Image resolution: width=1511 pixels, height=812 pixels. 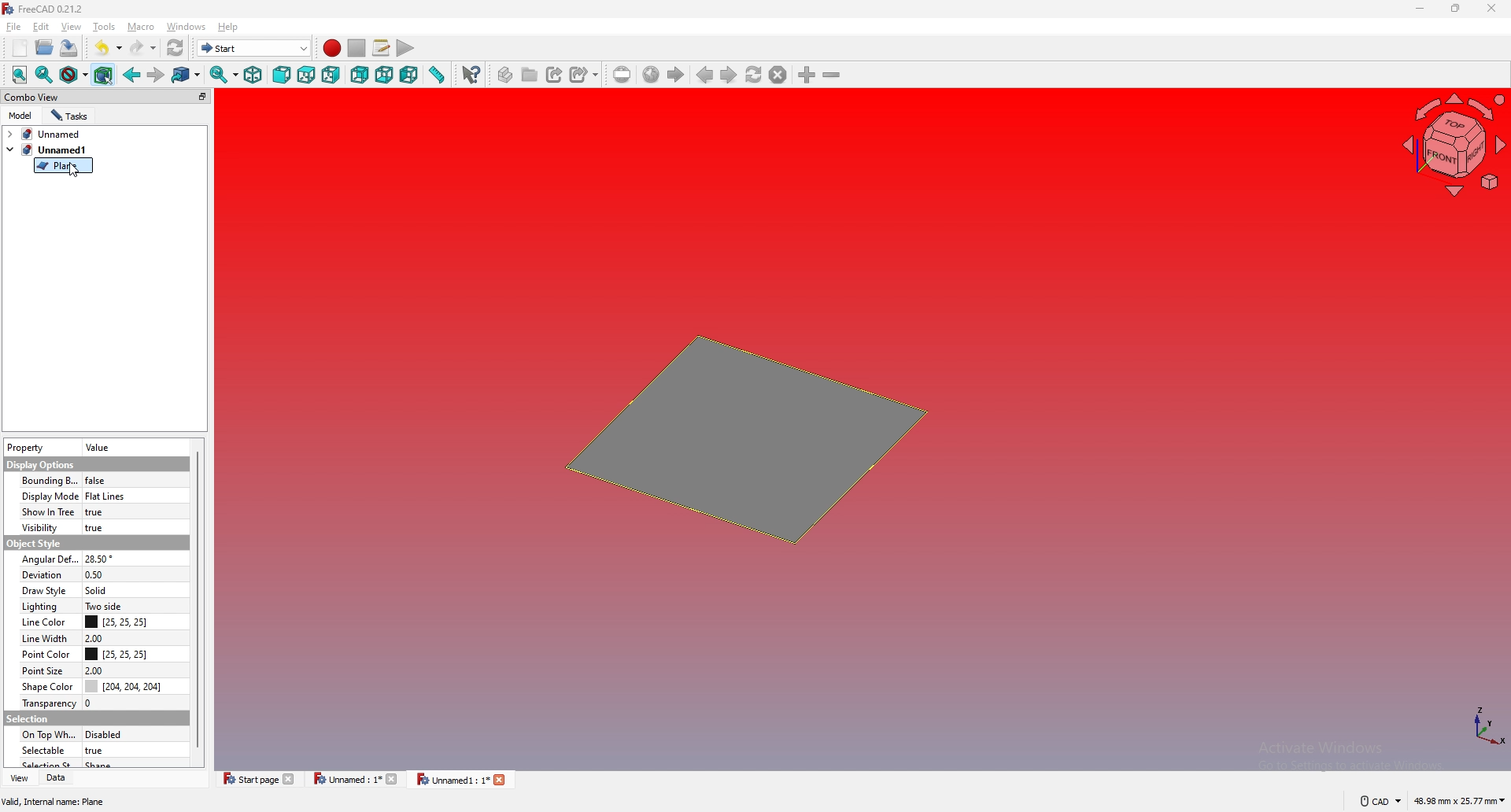 I want to click on true, so click(x=102, y=511).